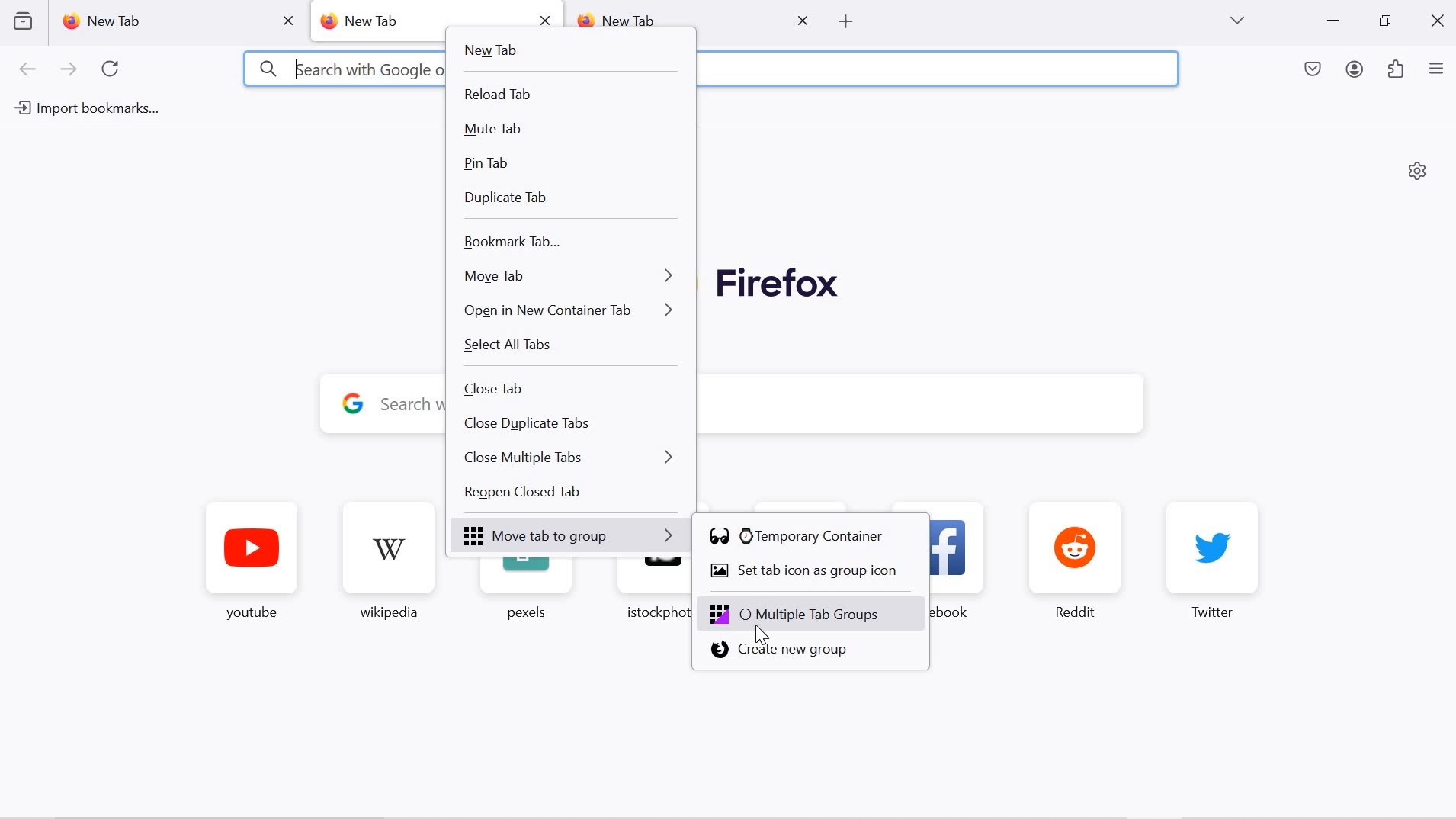 The height and width of the screenshot is (819, 1456). I want to click on select all tabs, so click(573, 347).